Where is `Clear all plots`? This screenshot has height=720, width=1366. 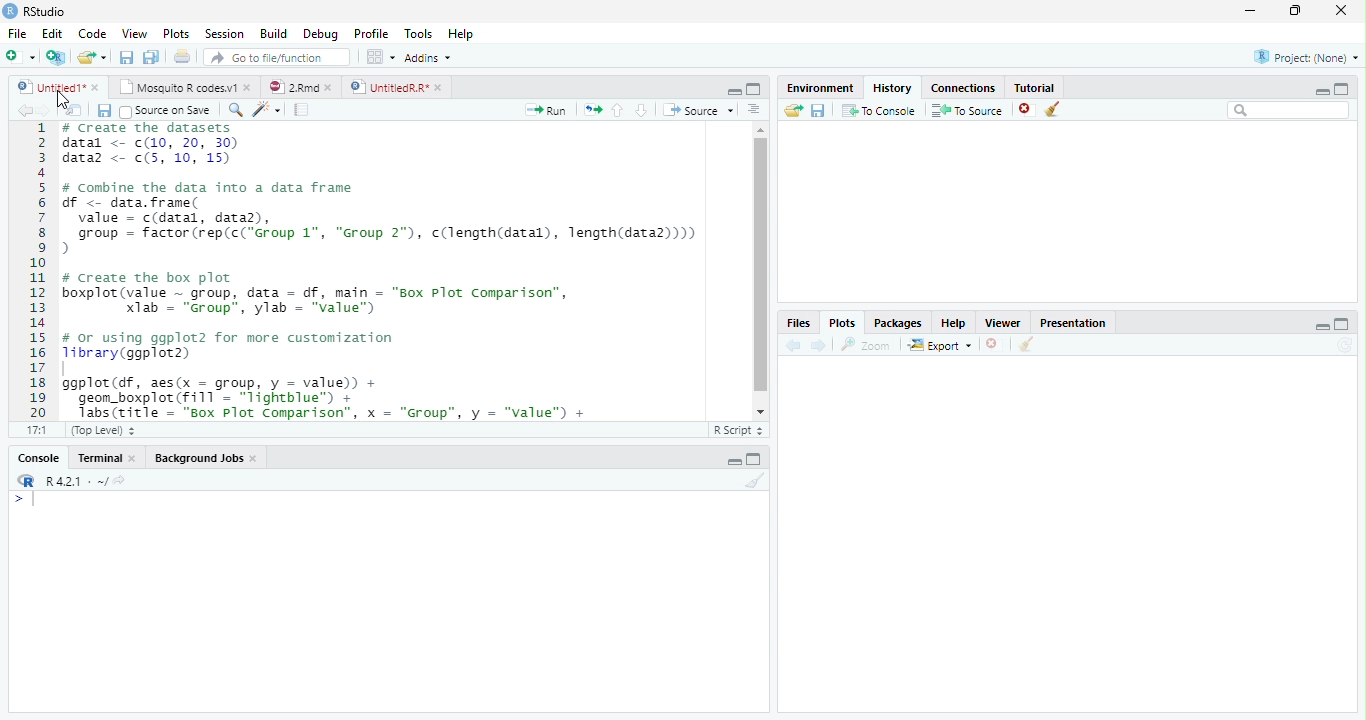 Clear all plots is located at coordinates (1027, 344).